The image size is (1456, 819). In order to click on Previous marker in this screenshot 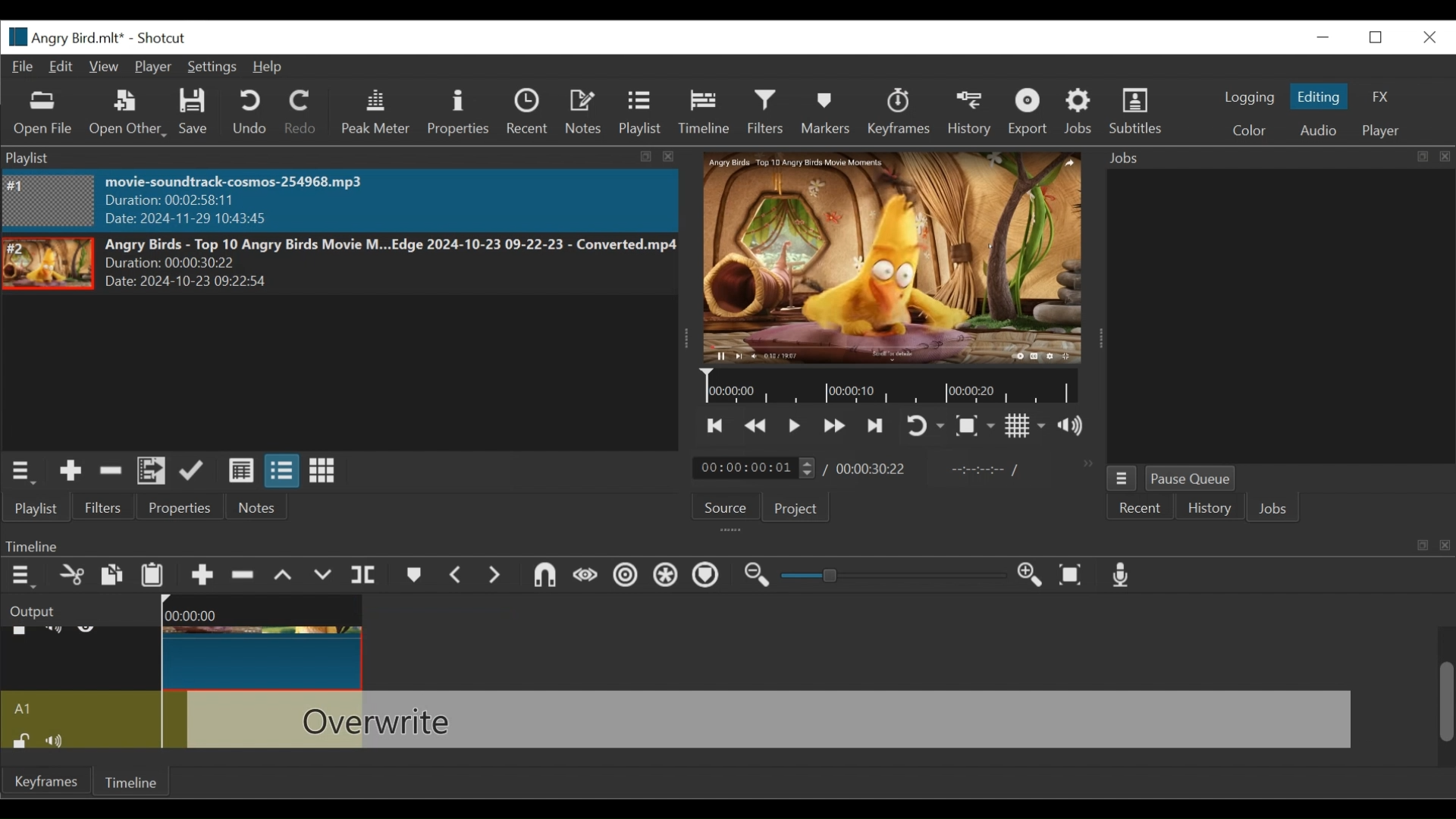, I will do `click(456, 574)`.